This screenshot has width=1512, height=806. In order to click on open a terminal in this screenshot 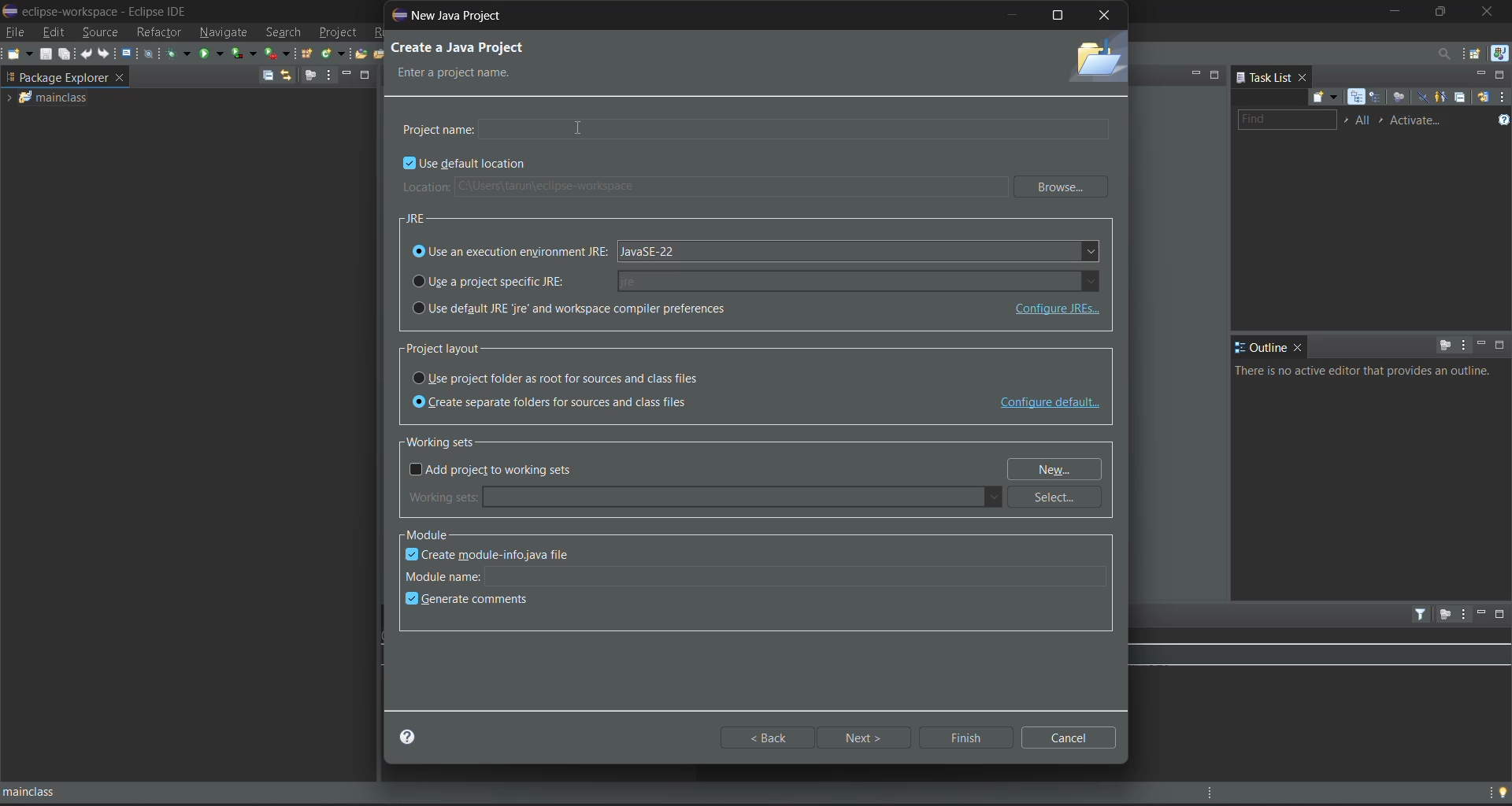, I will do `click(128, 53)`.